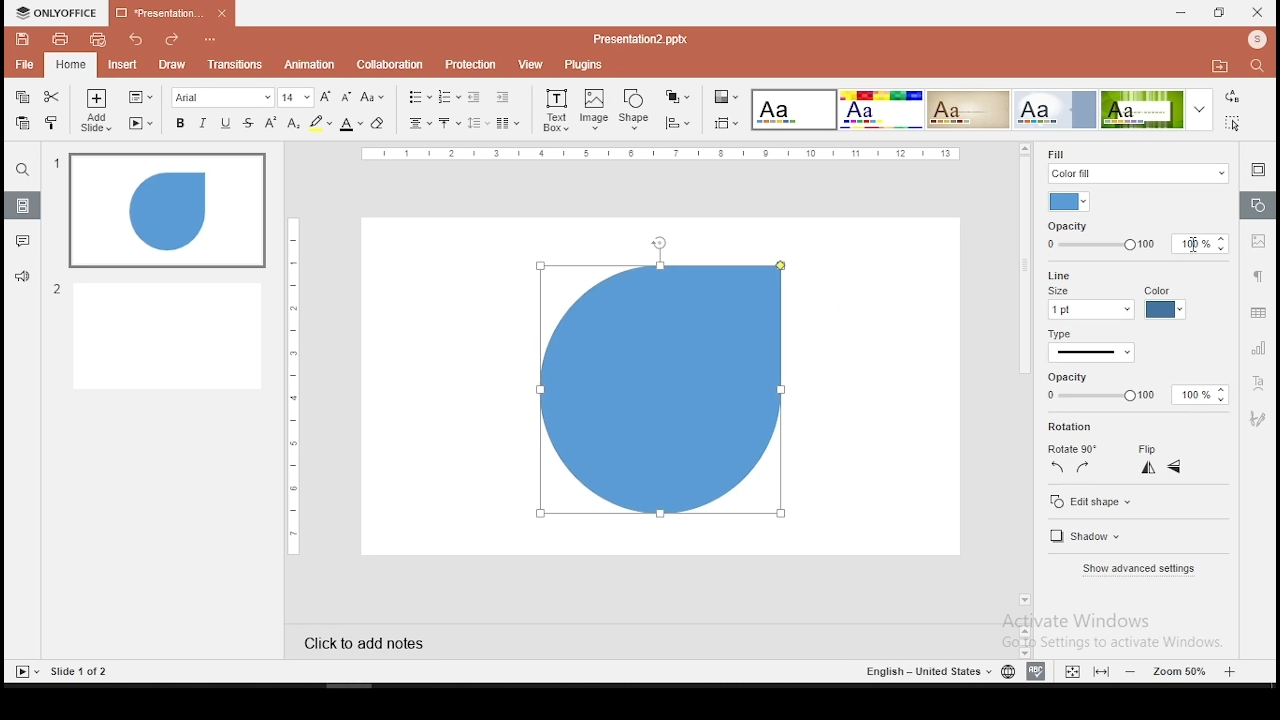 The width and height of the screenshot is (1280, 720). What do you see at coordinates (968, 108) in the screenshot?
I see `theme` at bounding box center [968, 108].